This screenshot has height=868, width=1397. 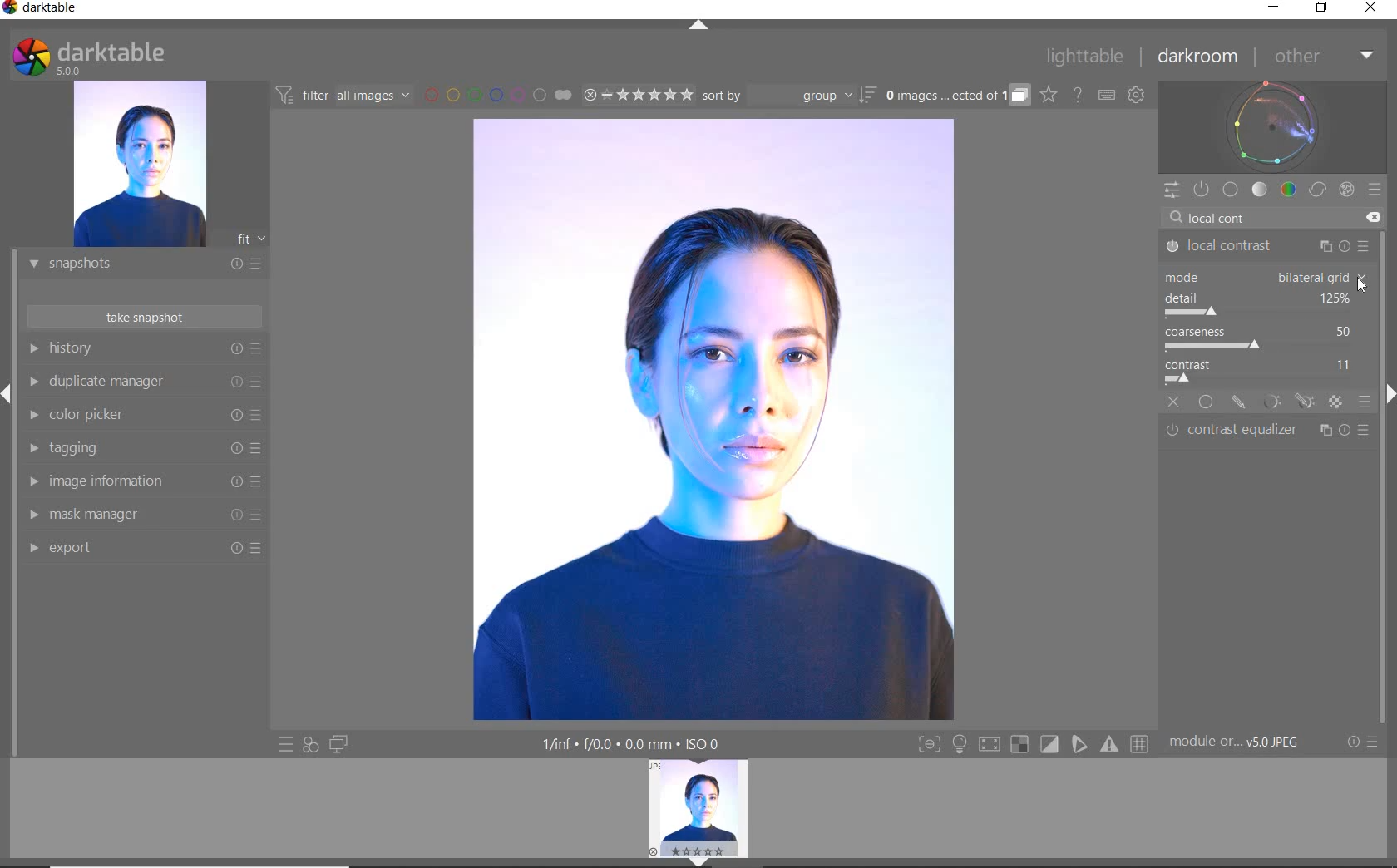 What do you see at coordinates (1246, 742) in the screenshot?
I see `MODULE...v5.0 JPEG` at bounding box center [1246, 742].